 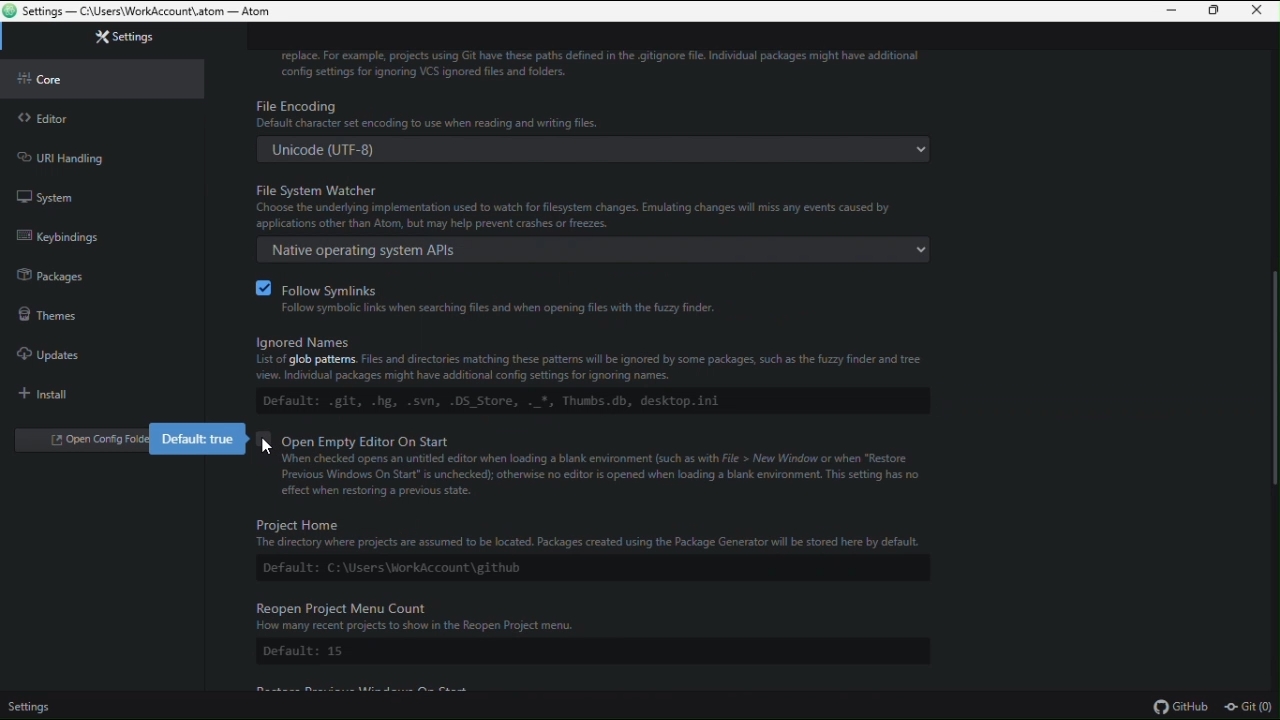 What do you see at coordinates (596, 617) in the screenshot?
I see `reopen project menu count` at bounding box center [596, 617].